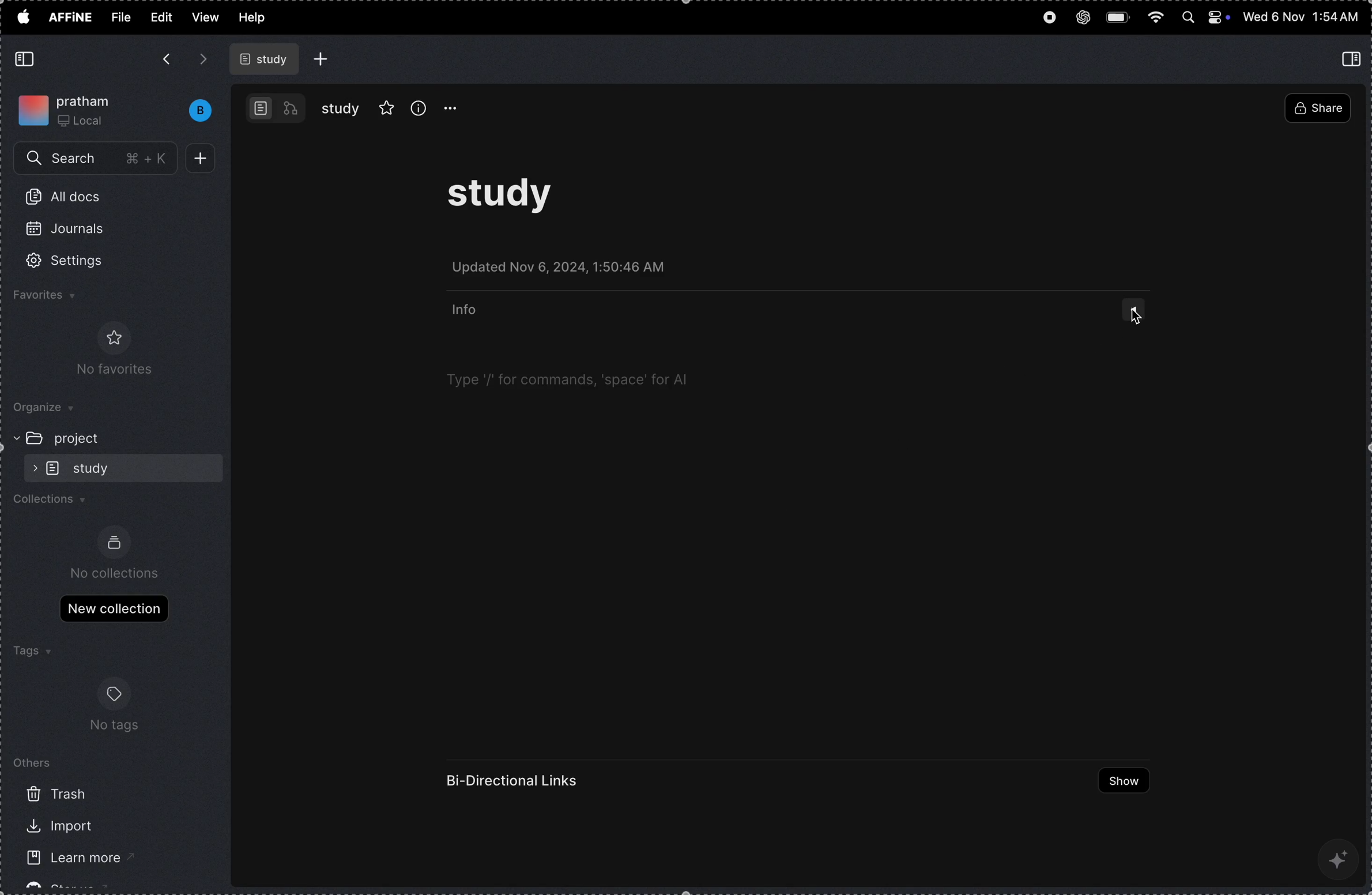  I want to click on others, so click(35, 762).